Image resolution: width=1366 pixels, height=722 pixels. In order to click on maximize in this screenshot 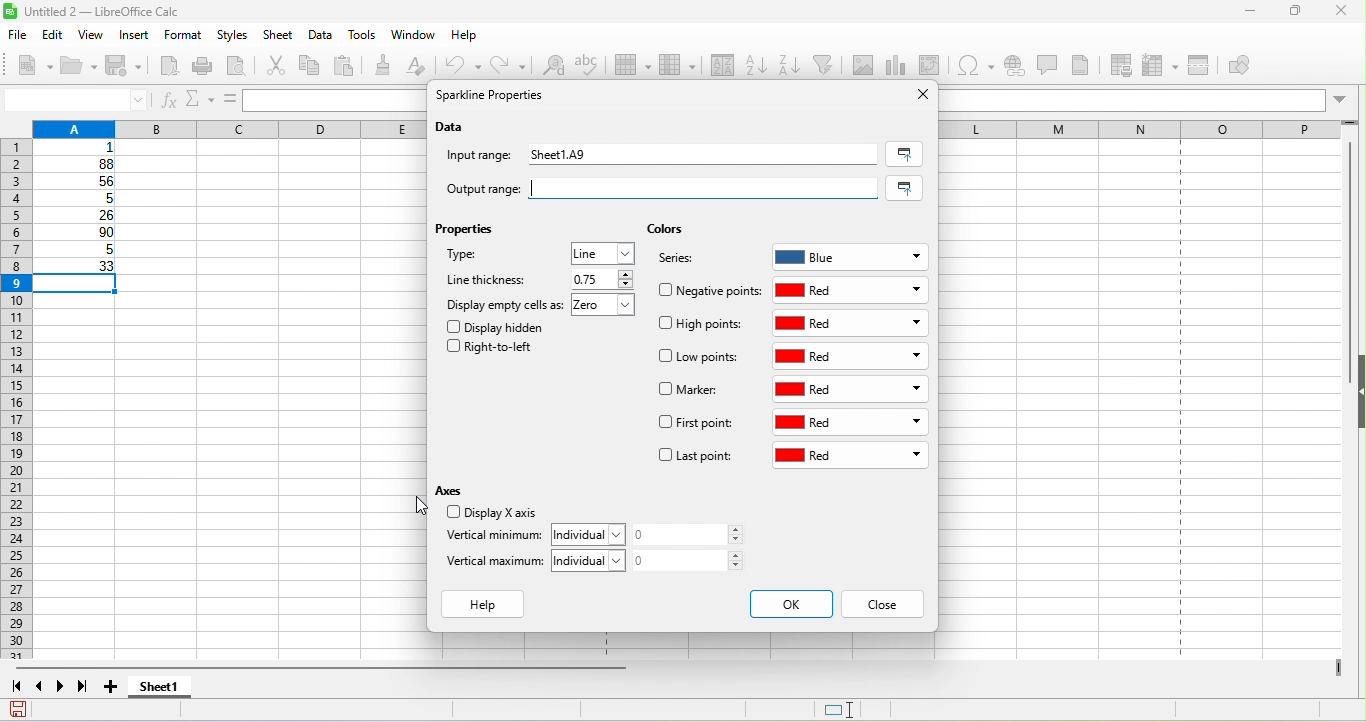, I will do `click(1288, 13)`.